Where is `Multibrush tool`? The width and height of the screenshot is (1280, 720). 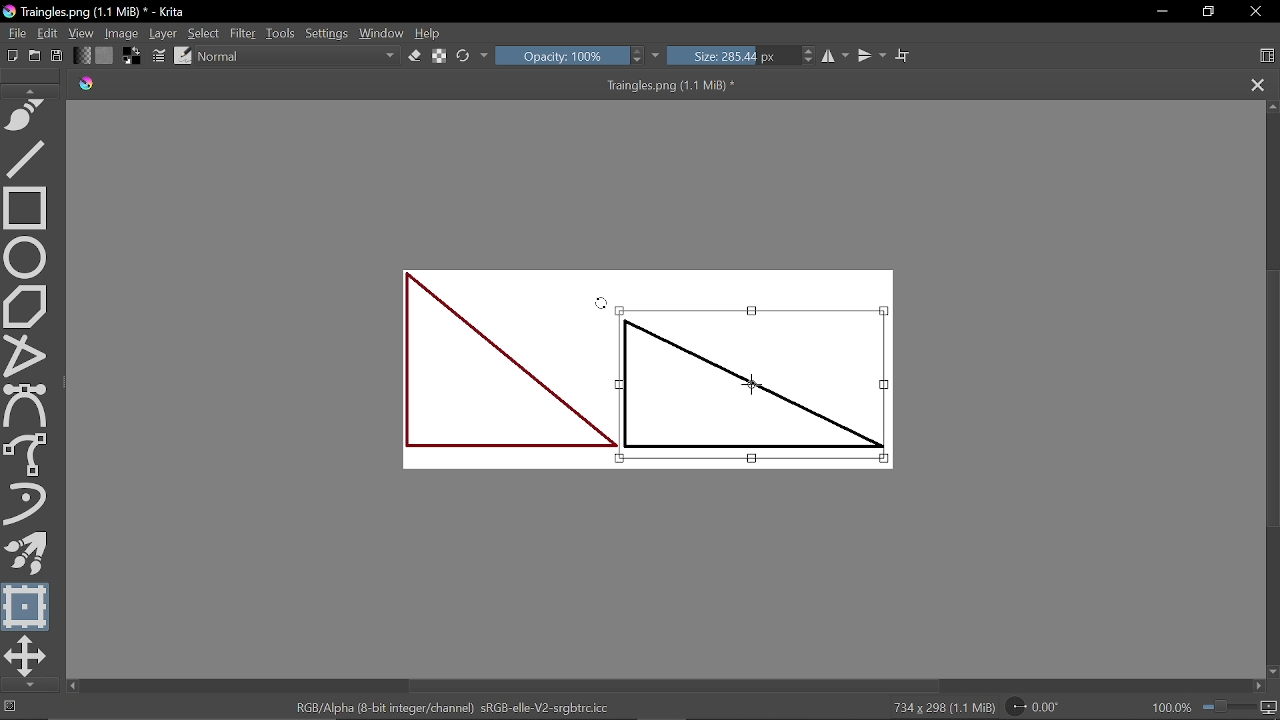 Multibrush tool is located at coordinates (27, 554).